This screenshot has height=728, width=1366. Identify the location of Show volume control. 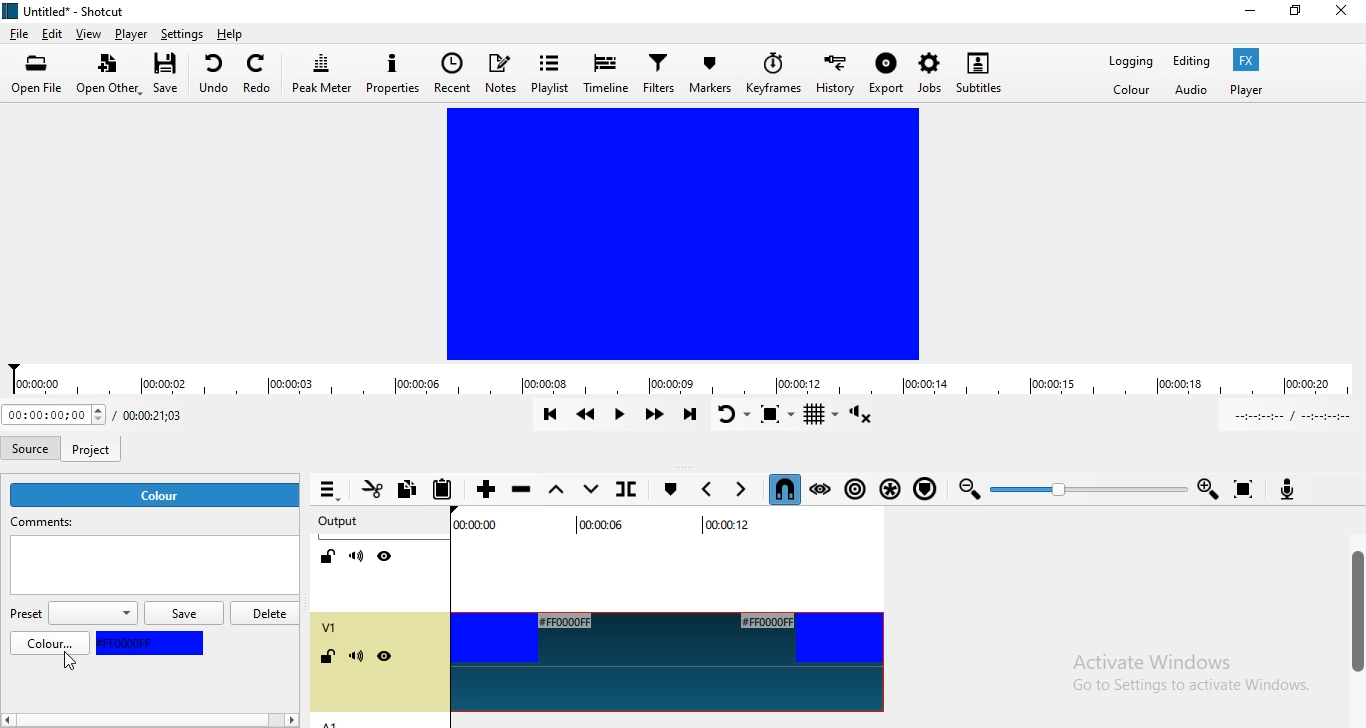
(862, 416).